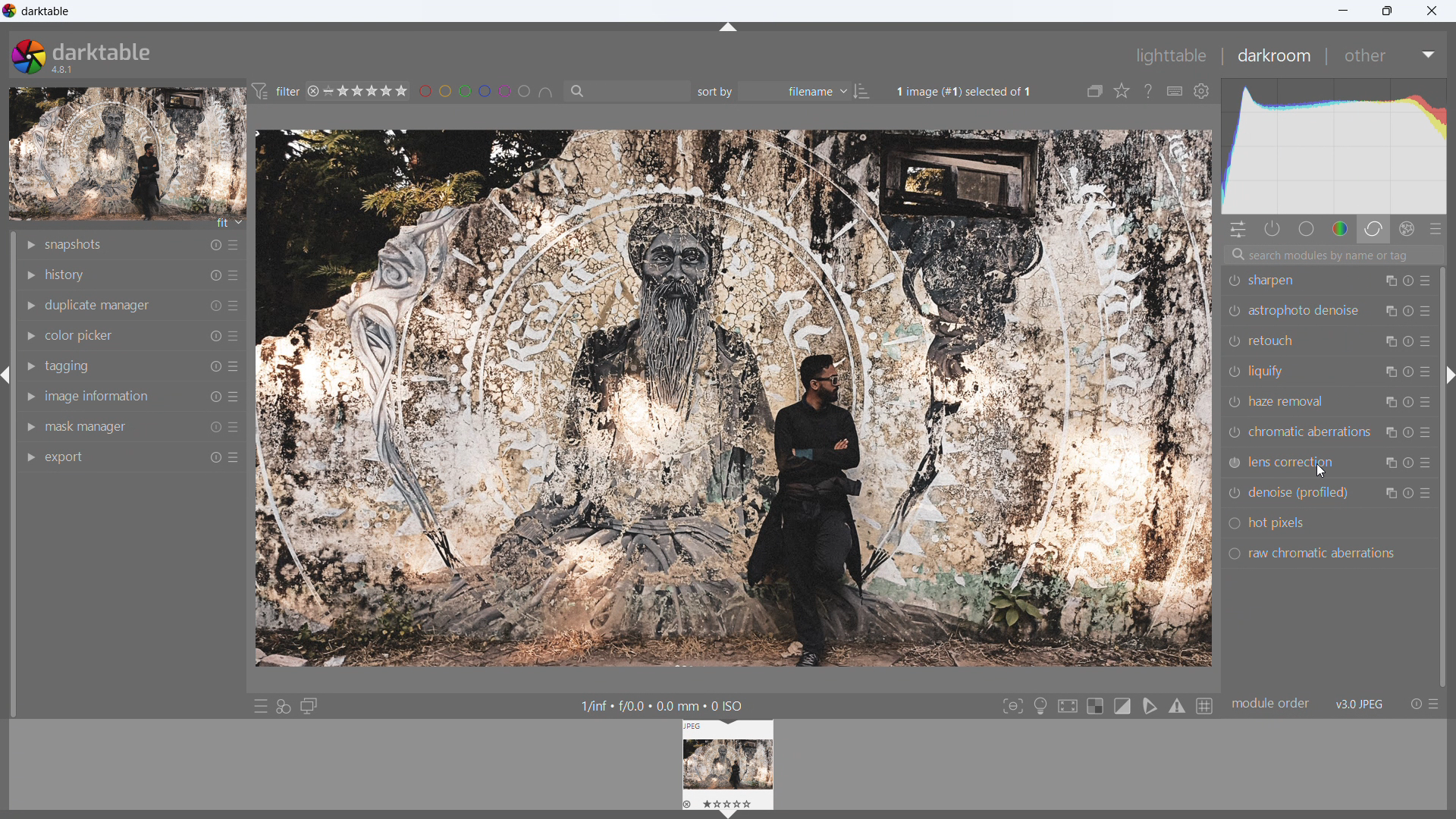  What do you see at coordinates (1149, 91) in the screenshot?
I see `enable this and click on a control element to get online help` at bounding box center [1149, 91].